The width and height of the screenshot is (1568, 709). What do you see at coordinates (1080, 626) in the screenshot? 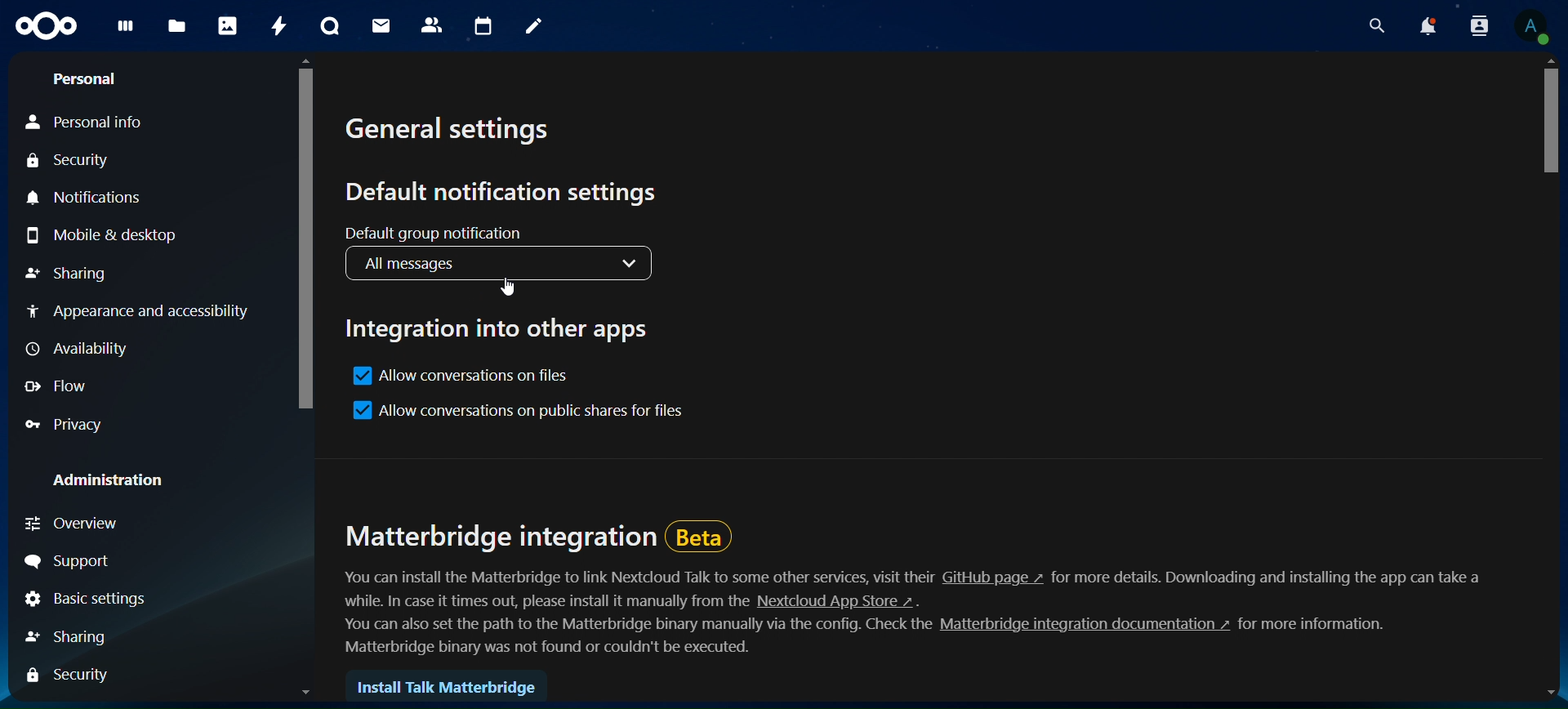
I see `hyperlink` at bounding box center [1080, 626].